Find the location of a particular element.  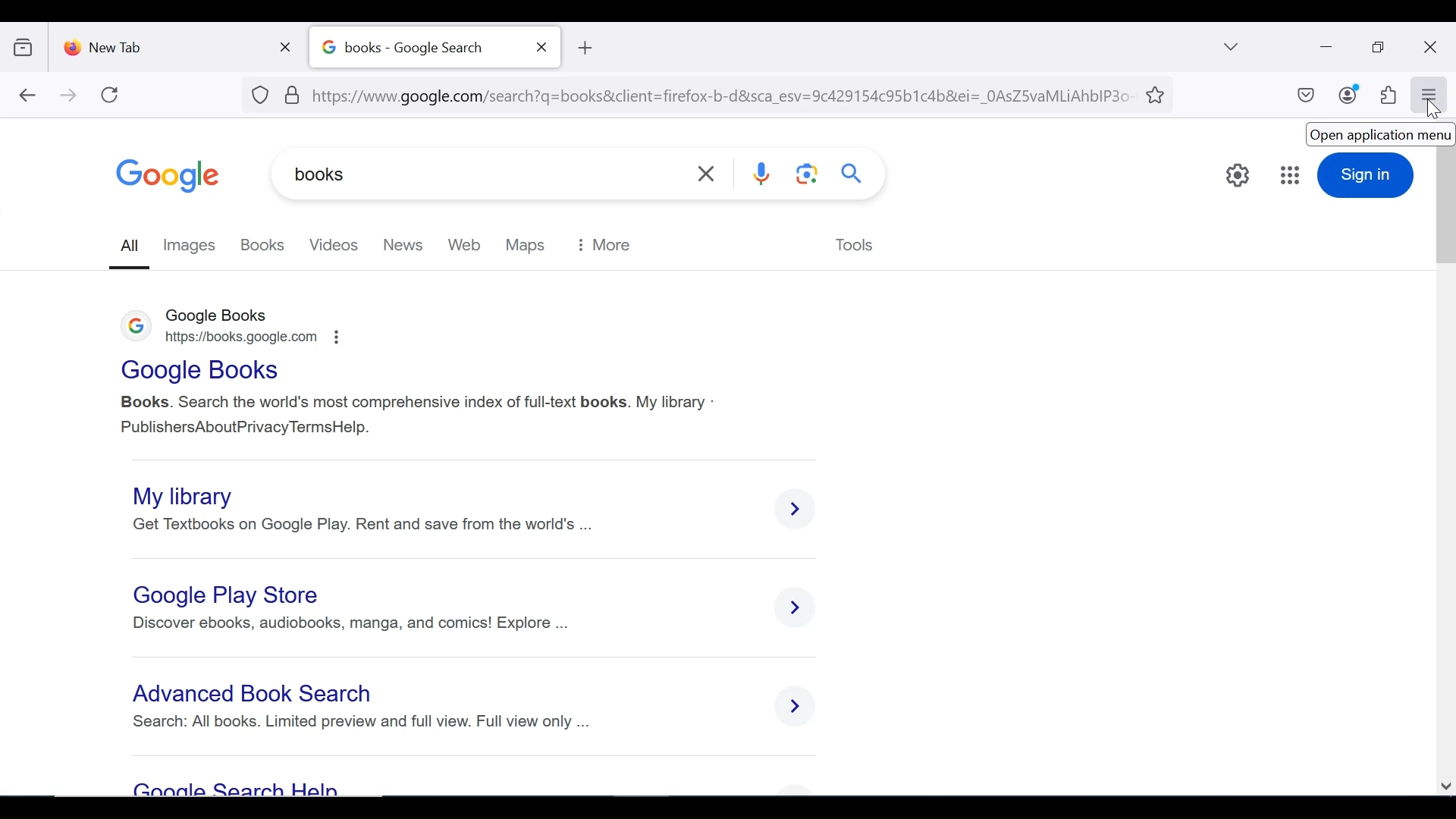

back is located at coordinates (27, 96).